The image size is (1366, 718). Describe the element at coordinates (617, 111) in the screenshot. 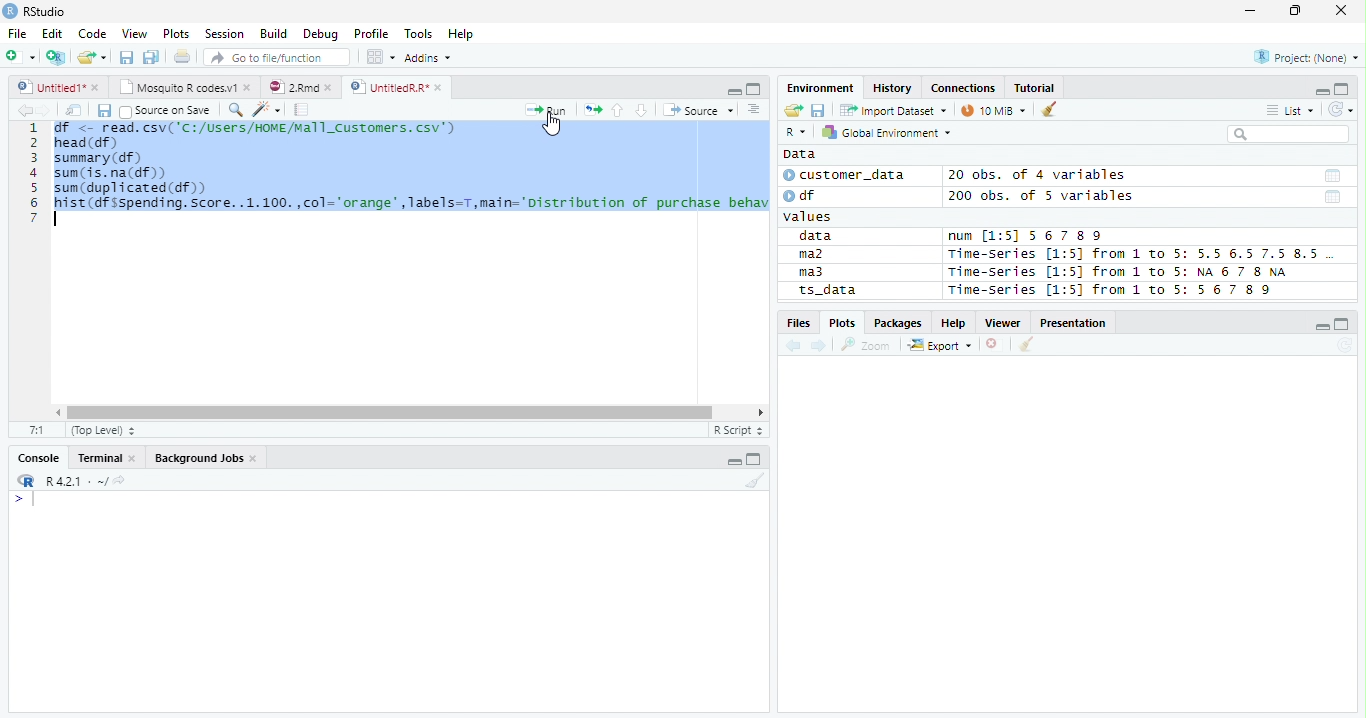

I see `Up` at that location.